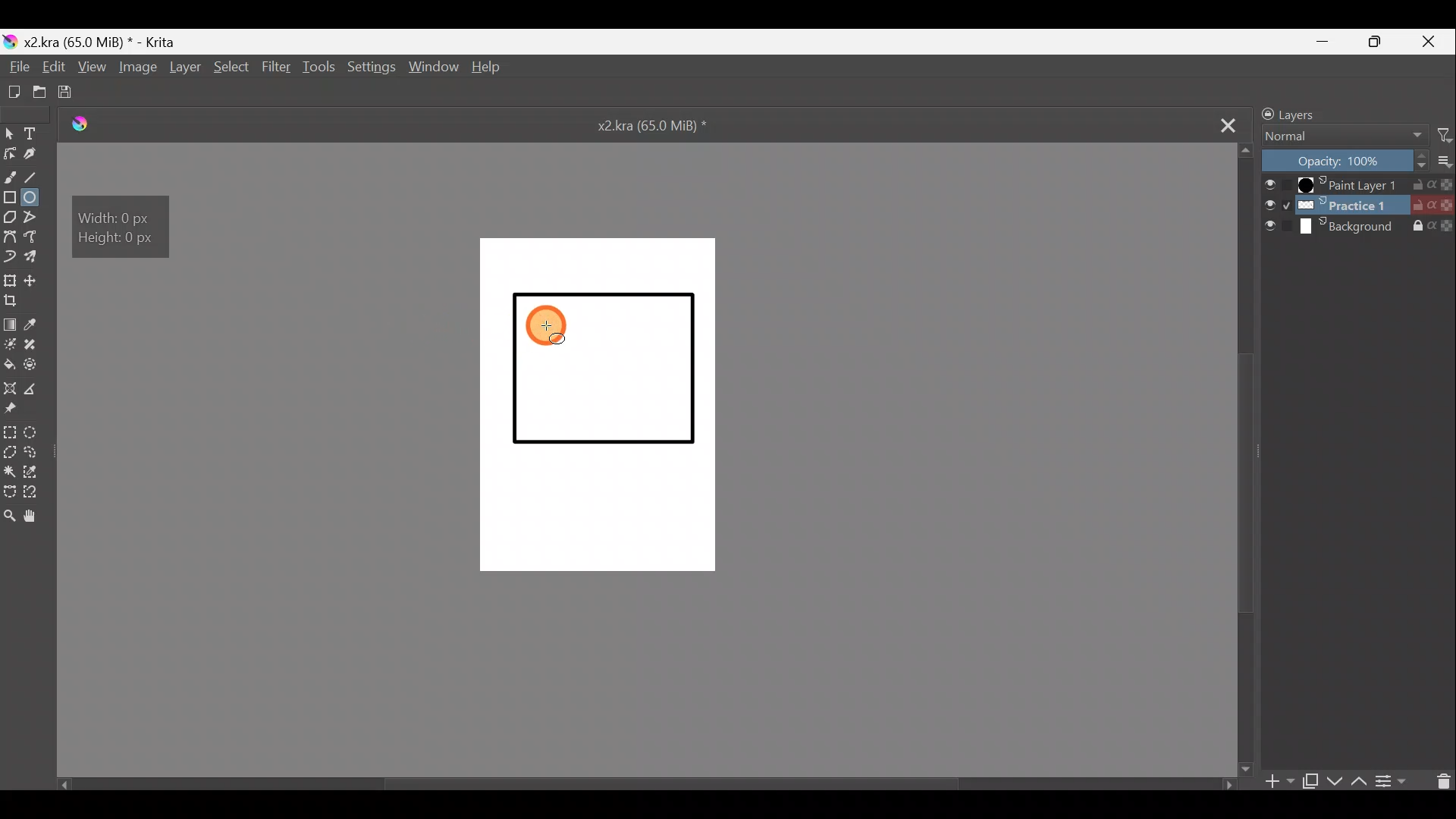  What do you see at coordinates (1438, 136) in the screenshot?
I see `Filter` at bounding box center [1438, 136].